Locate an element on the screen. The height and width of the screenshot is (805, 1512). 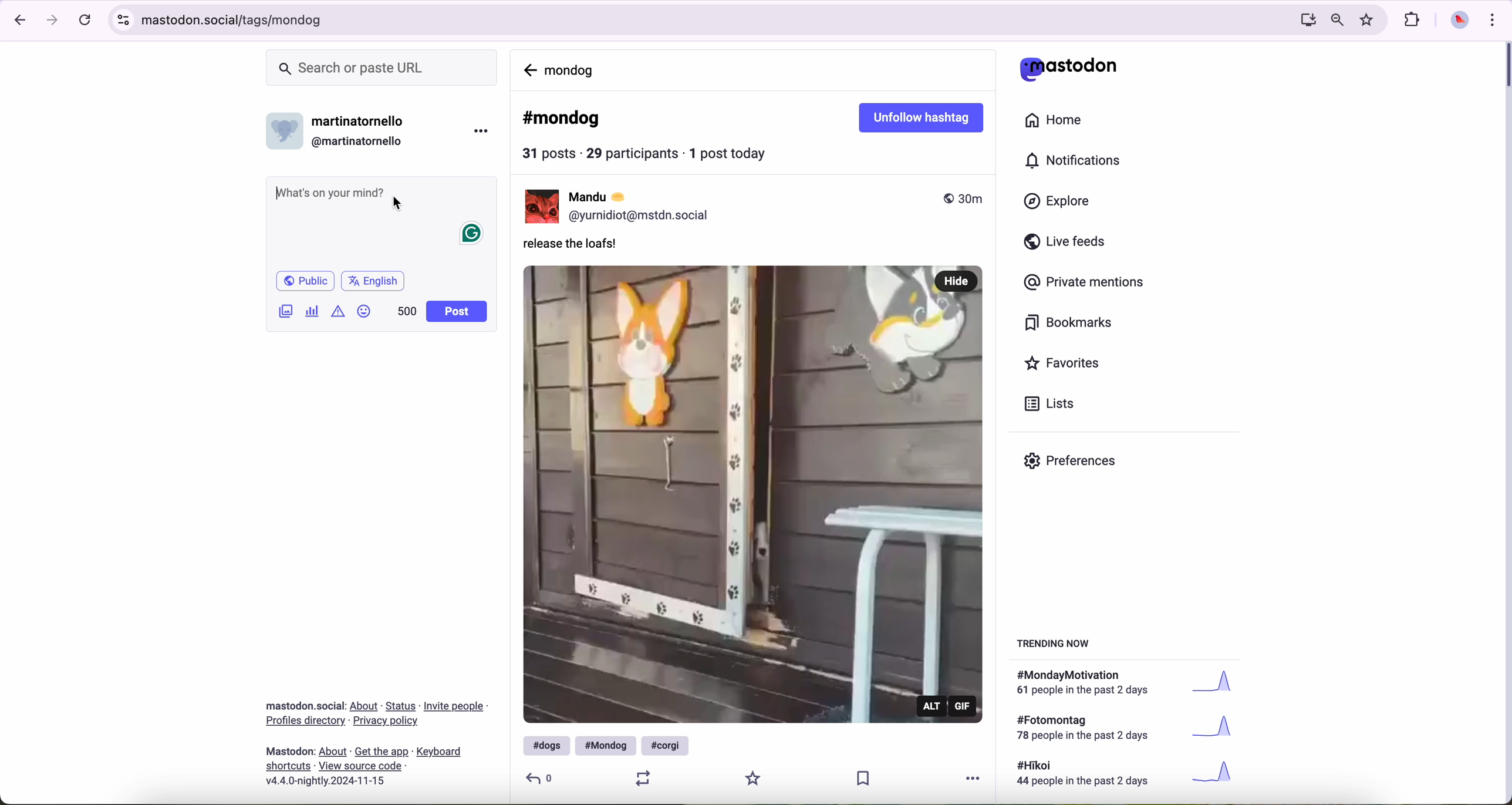
link is located at coordinates (382, 753).